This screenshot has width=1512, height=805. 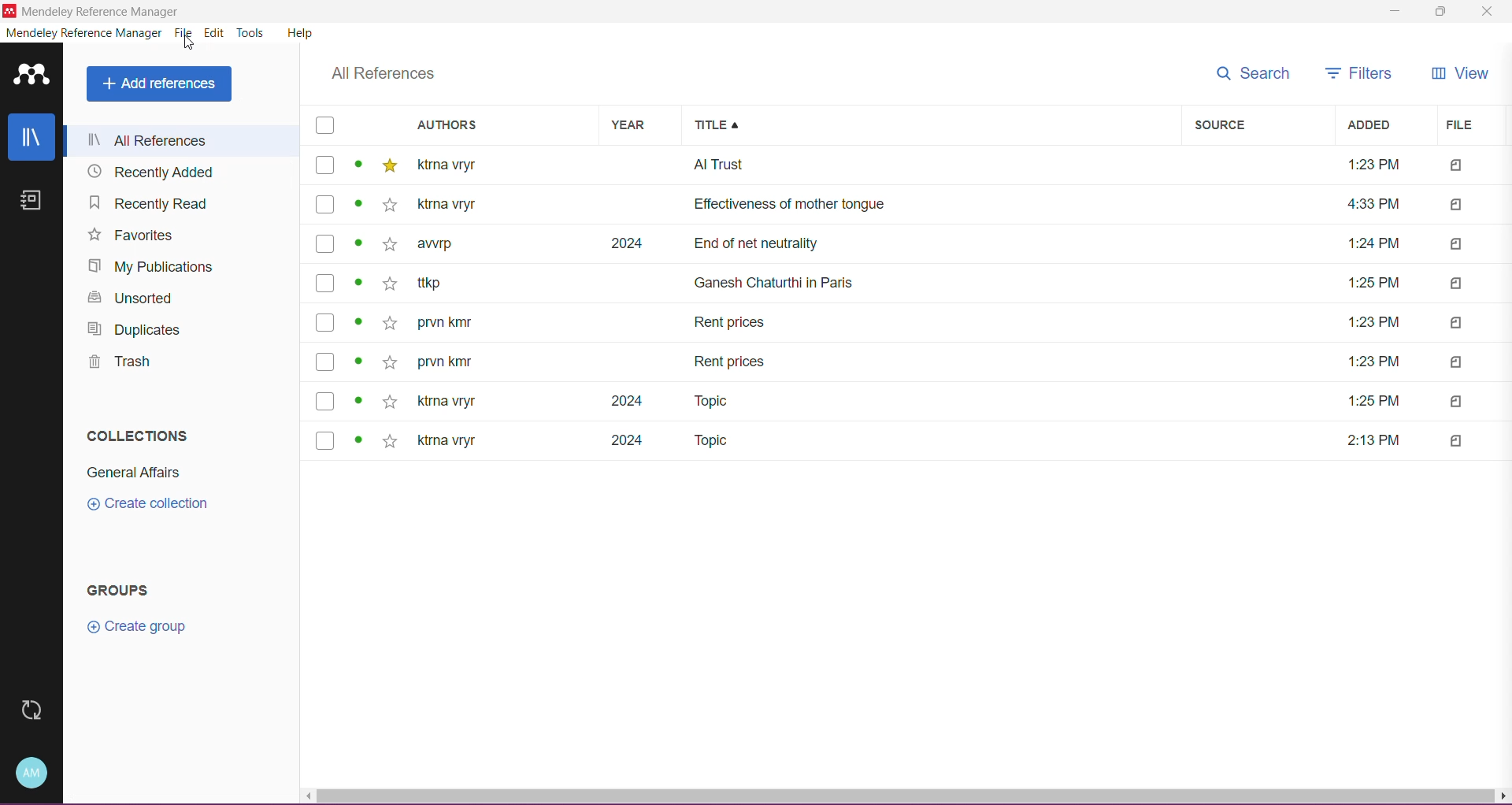 What do you see at coordinates (910, 323) in the screenshot?
I see `prvn kmr Rent prices 1:23 PM` at bounding box center [910, 323].